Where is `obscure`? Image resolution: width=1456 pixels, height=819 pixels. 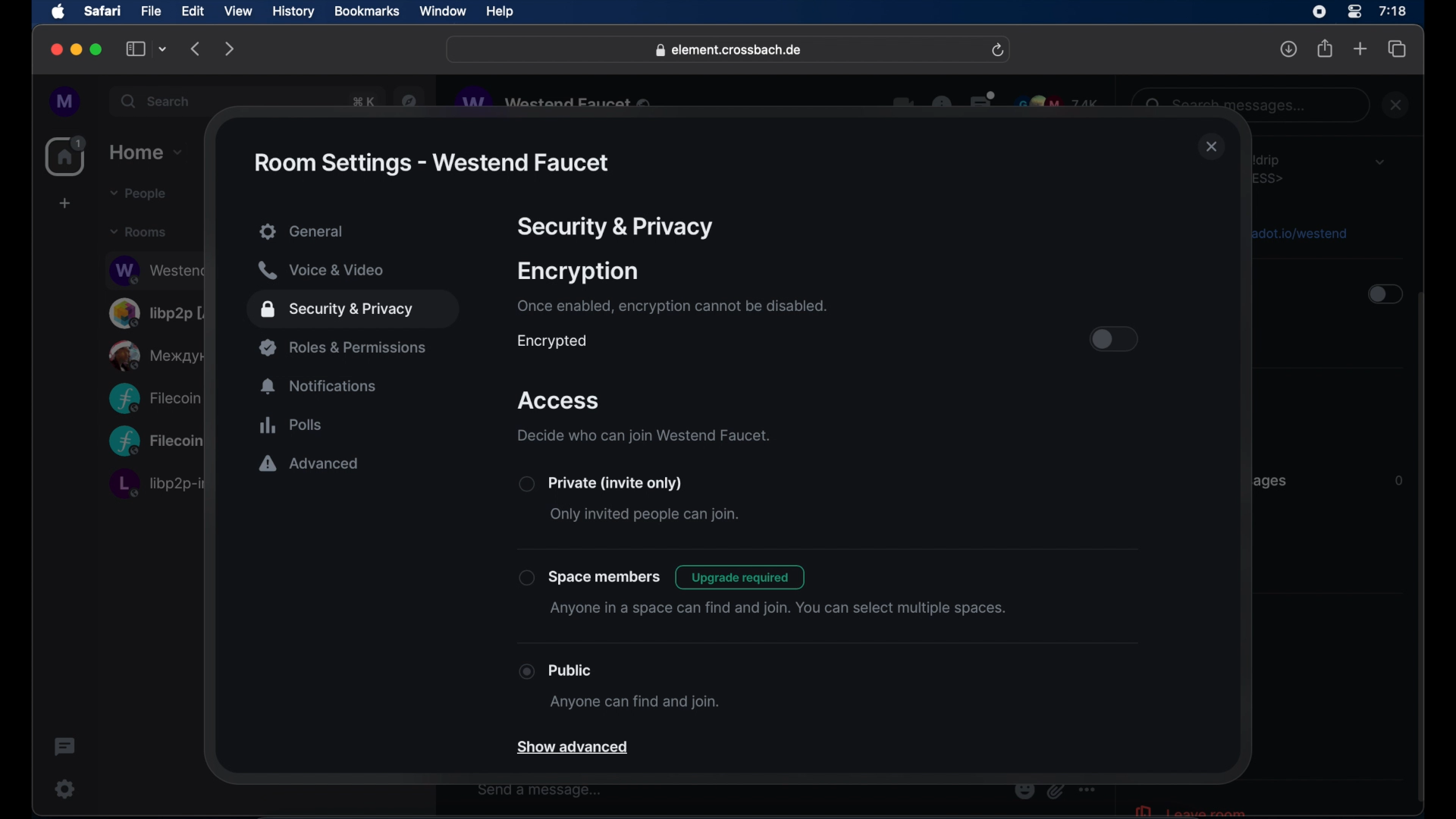
obscure is located at coordinates (556, 101).